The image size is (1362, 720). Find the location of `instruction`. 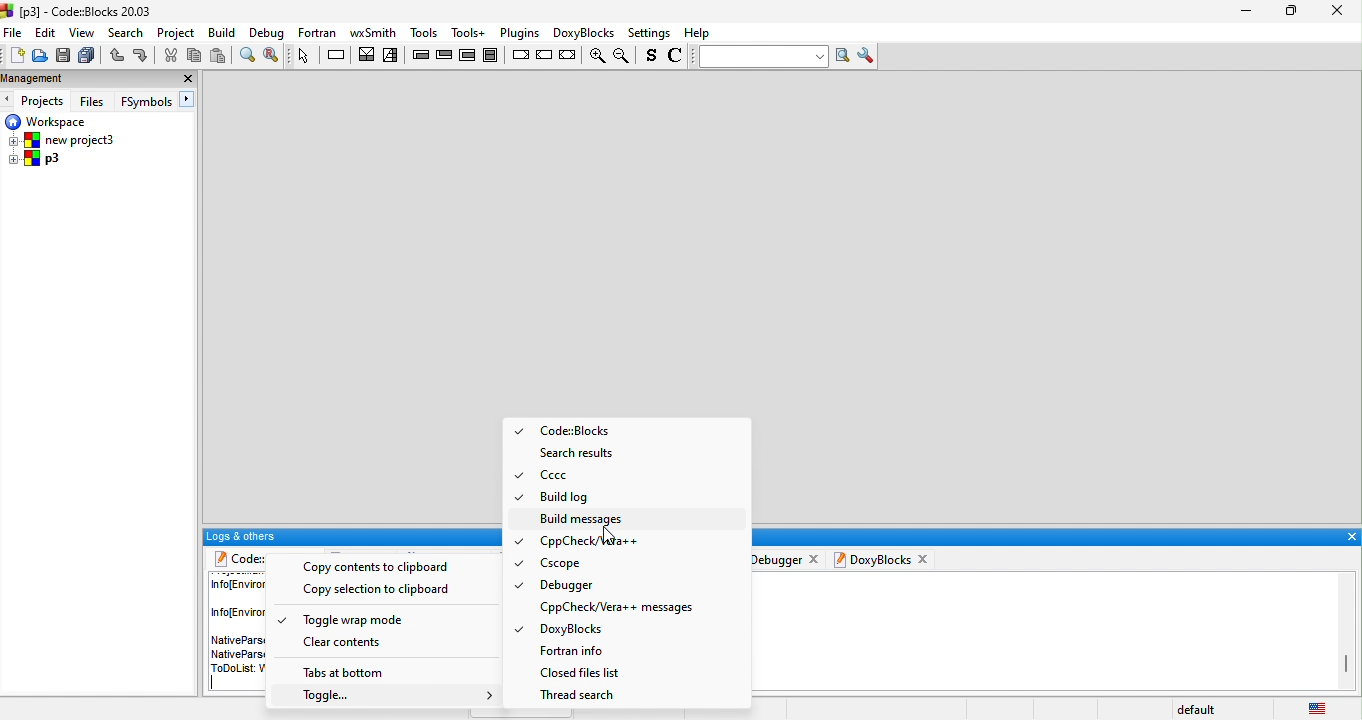

instruction is located at coordinates (338, 55).